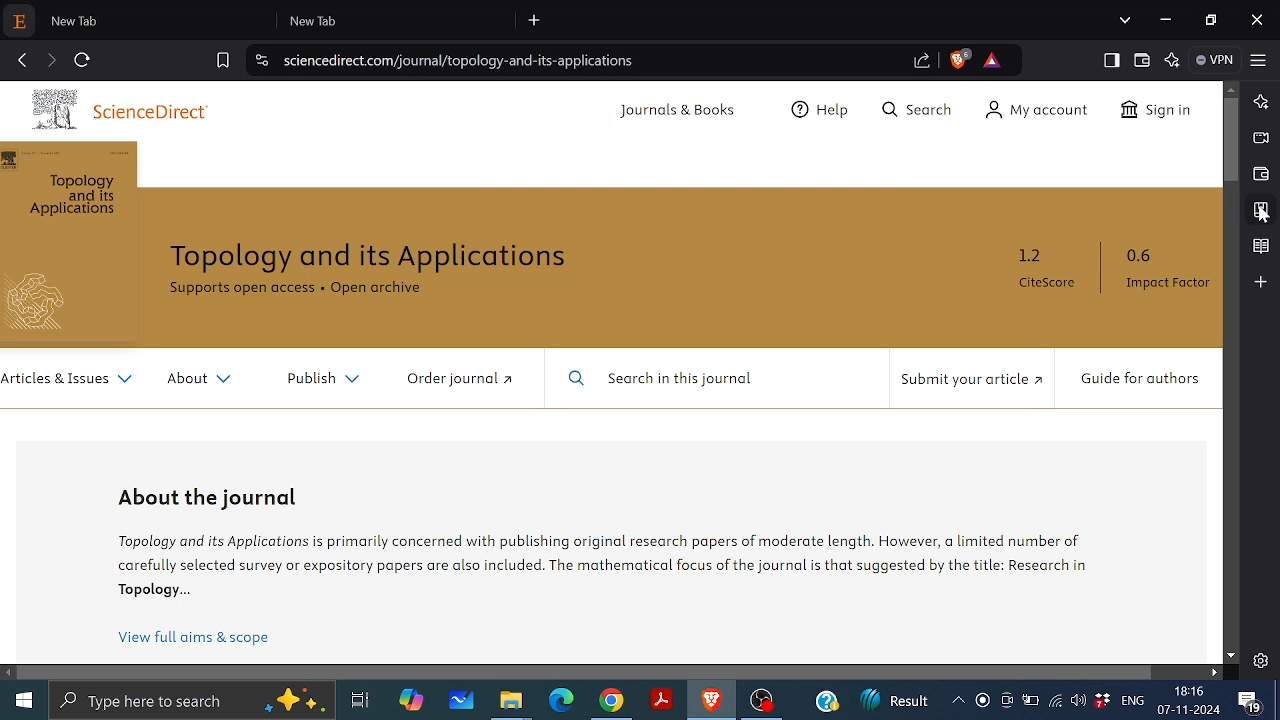 This screenshot has height=720, width=1280. I want to click on Sign In, so click(1159, 114).